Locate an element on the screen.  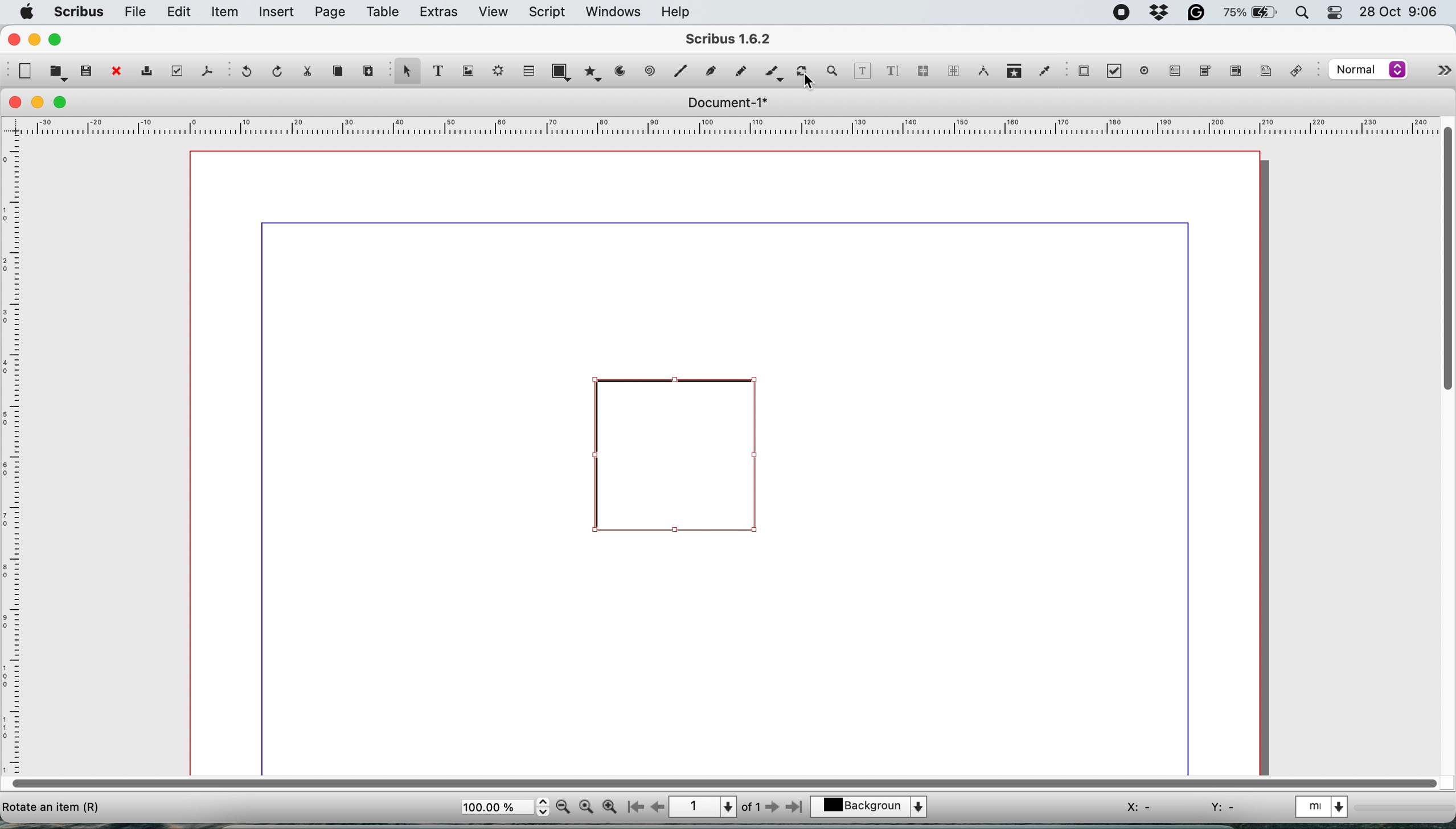
insert is located at coordinates (278, 13).